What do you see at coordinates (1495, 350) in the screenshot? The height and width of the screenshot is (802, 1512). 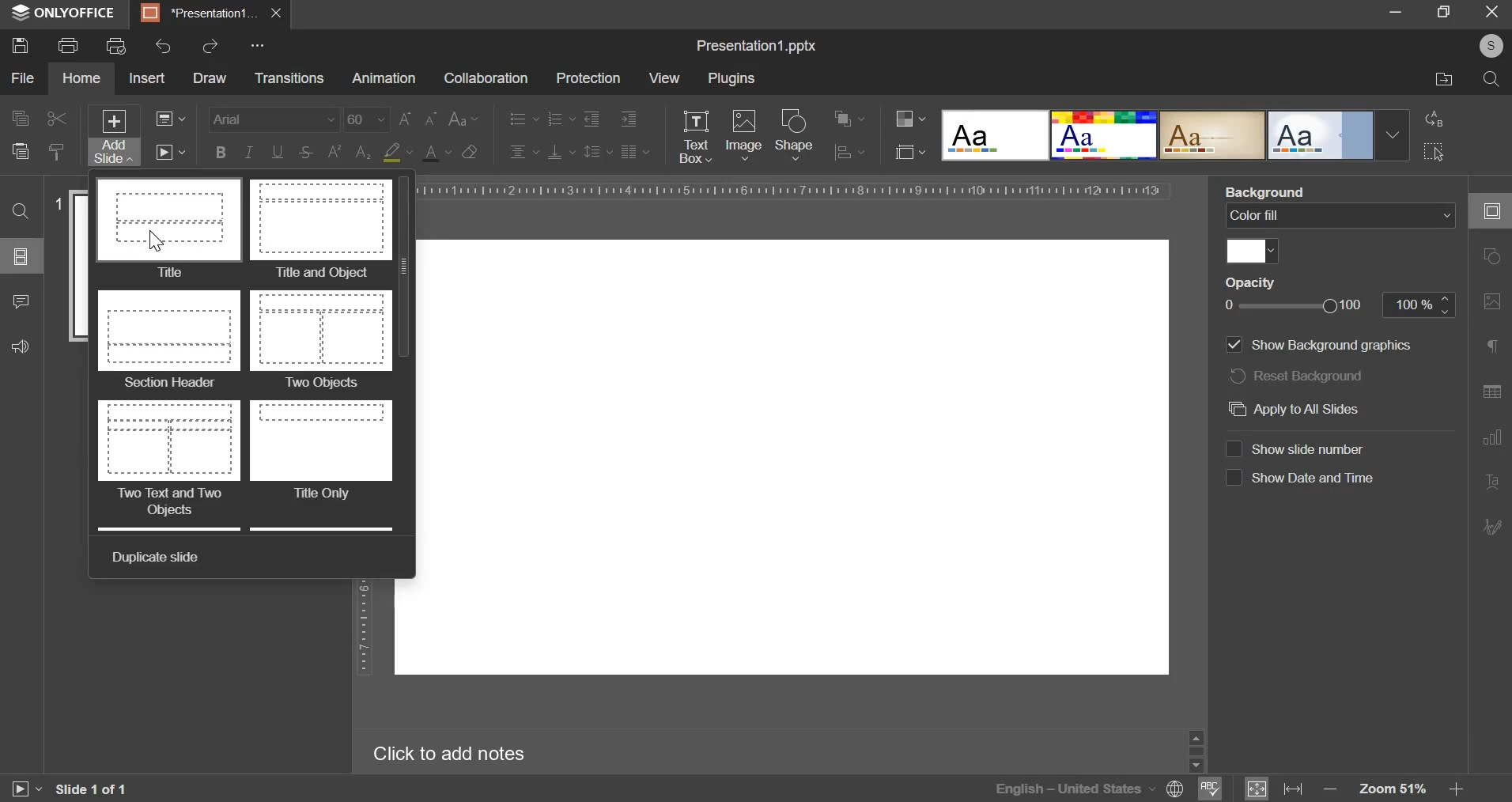 I see `character settings` at bounding box center [1495, 350].